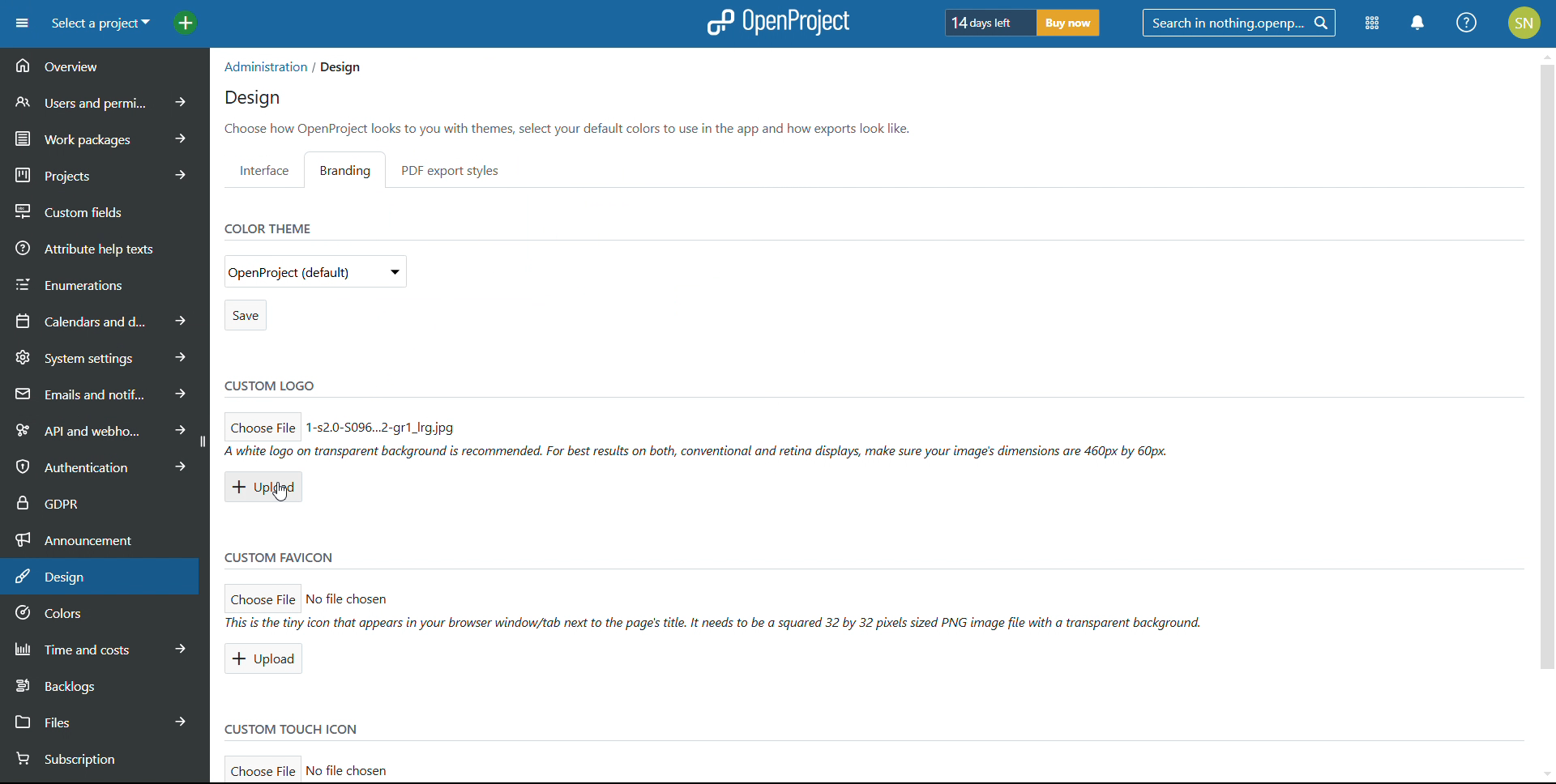 Image resolution: width=1556 pixels, height=784 pixels. Describe the element at coordinates (102, 647) in the screenshot. I see `time and costs` at that location.